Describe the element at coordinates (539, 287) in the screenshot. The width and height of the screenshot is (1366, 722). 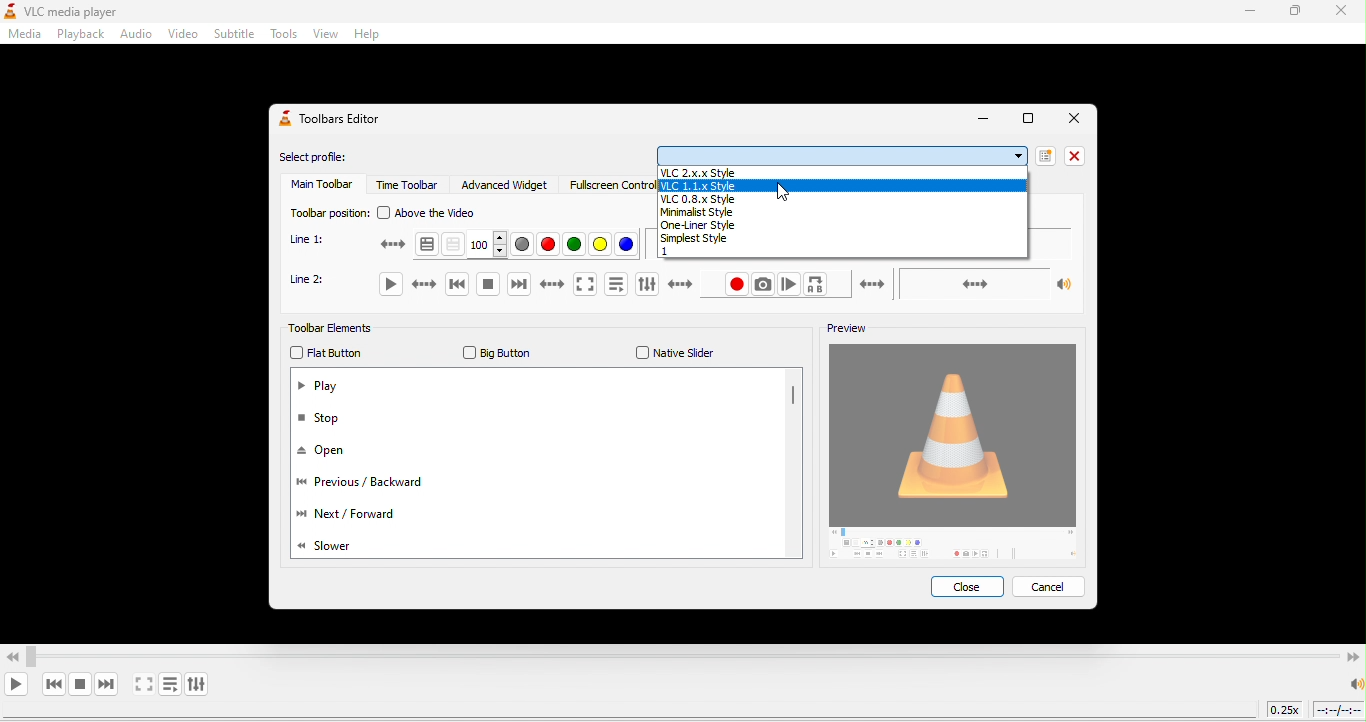
I see `next media` at that location.